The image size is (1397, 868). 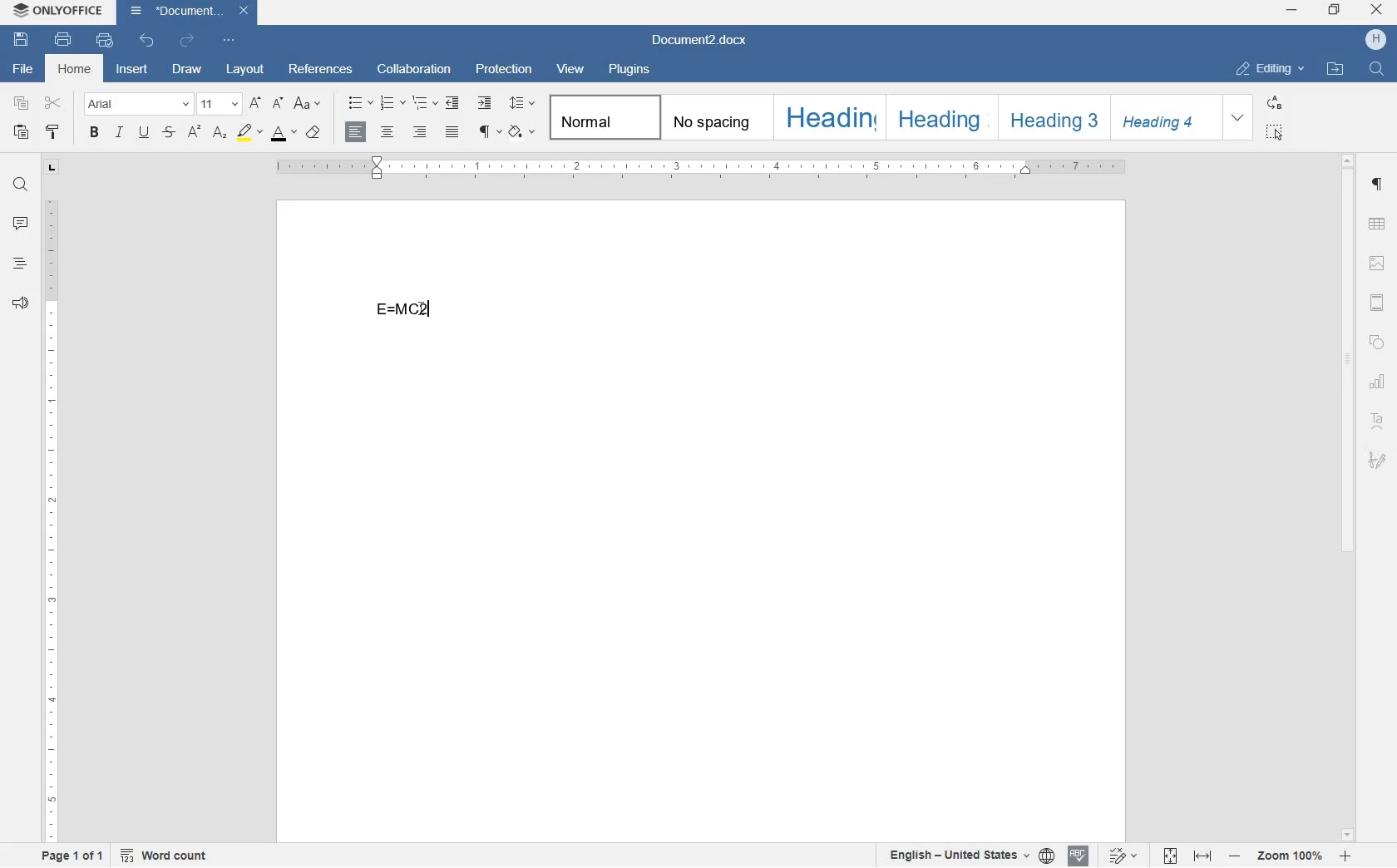 I want to click on feedback & support, so click(x=20, y=303).